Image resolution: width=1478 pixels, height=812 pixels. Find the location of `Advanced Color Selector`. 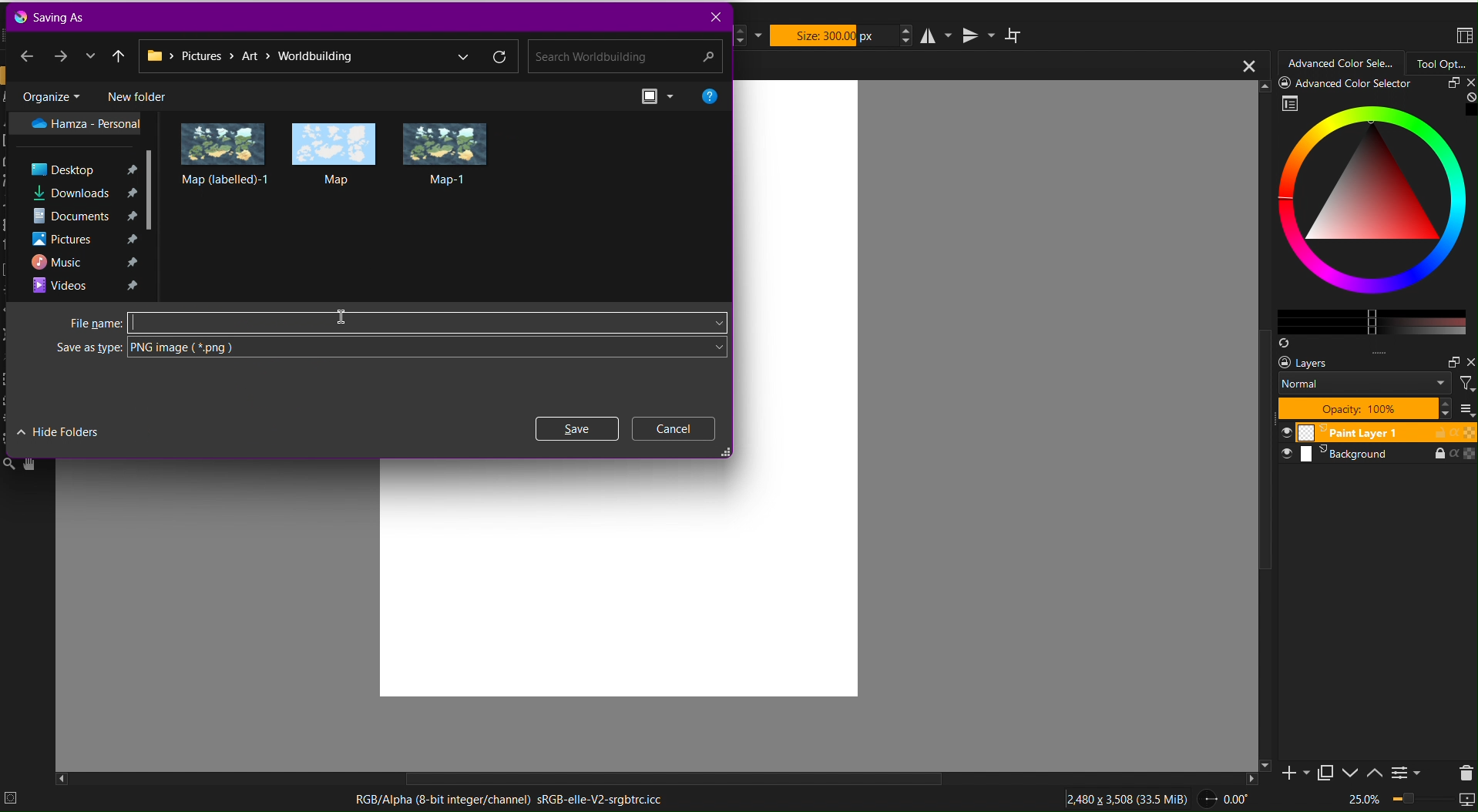

Advanced Color Selector is located at coordinates (1367, 214).